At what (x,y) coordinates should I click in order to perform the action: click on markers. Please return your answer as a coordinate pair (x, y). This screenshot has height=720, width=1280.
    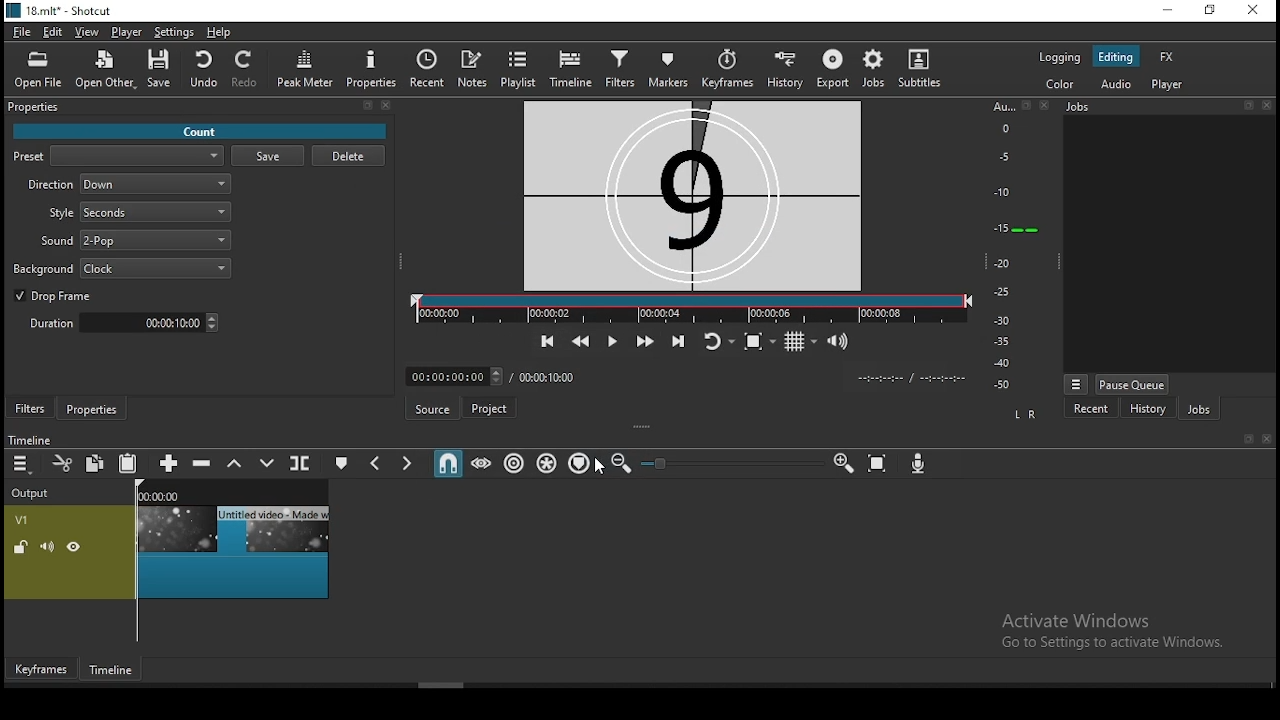
    Looking at the image, I should click on (667, 68).